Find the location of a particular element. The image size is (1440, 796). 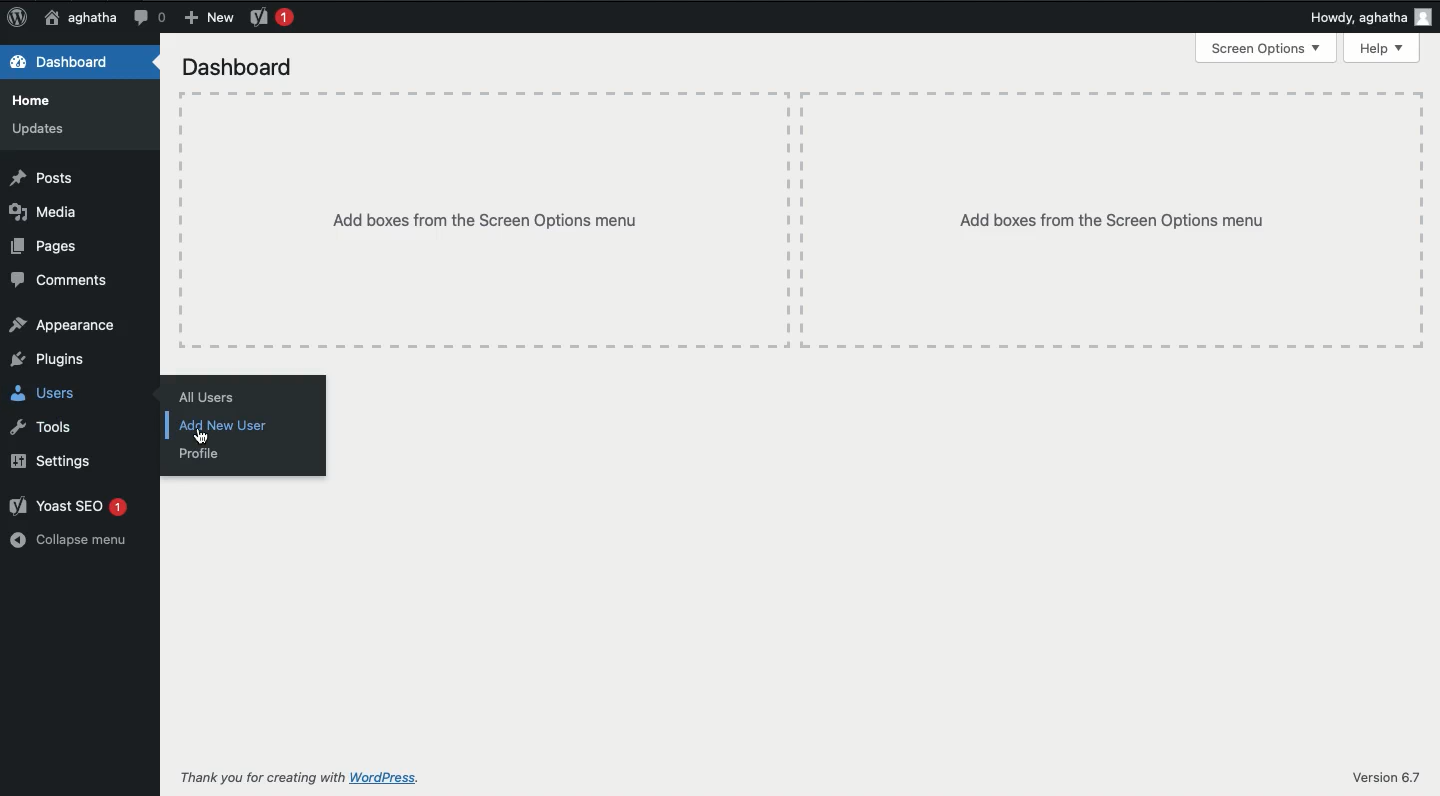

Users is located at coordinates (43, 394).